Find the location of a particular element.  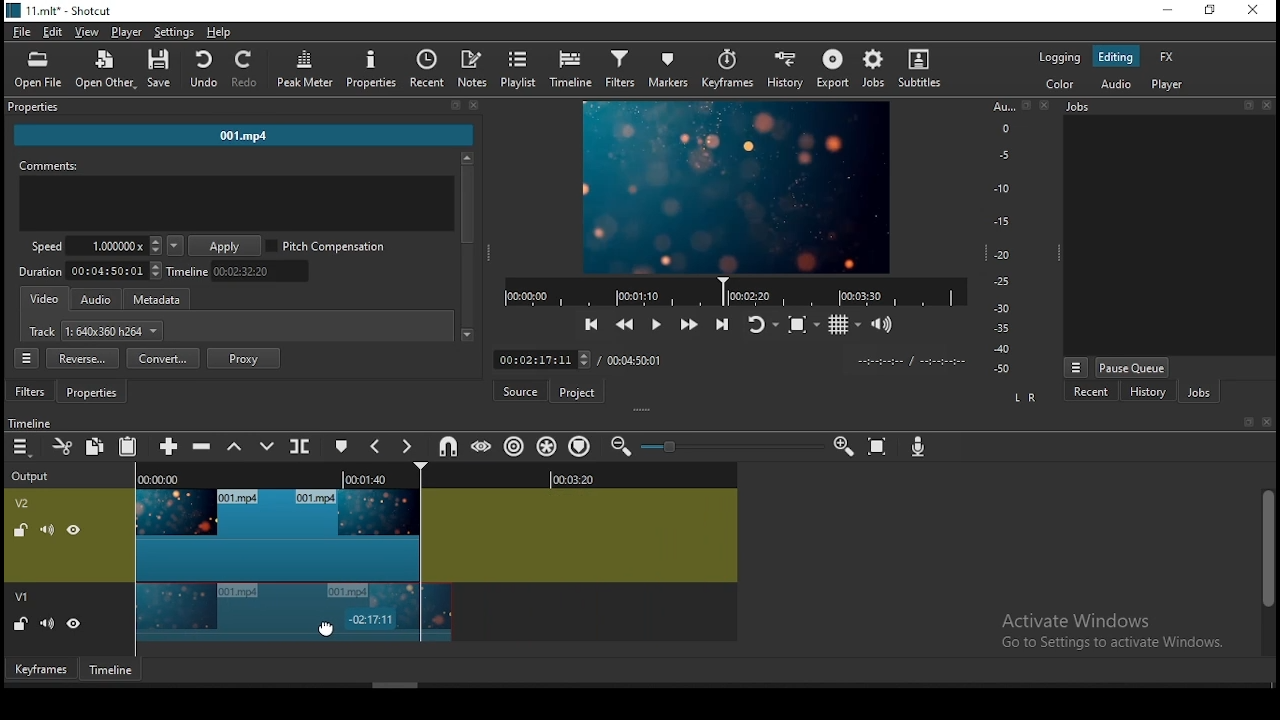

next marker is located at coordinates (407, 448).